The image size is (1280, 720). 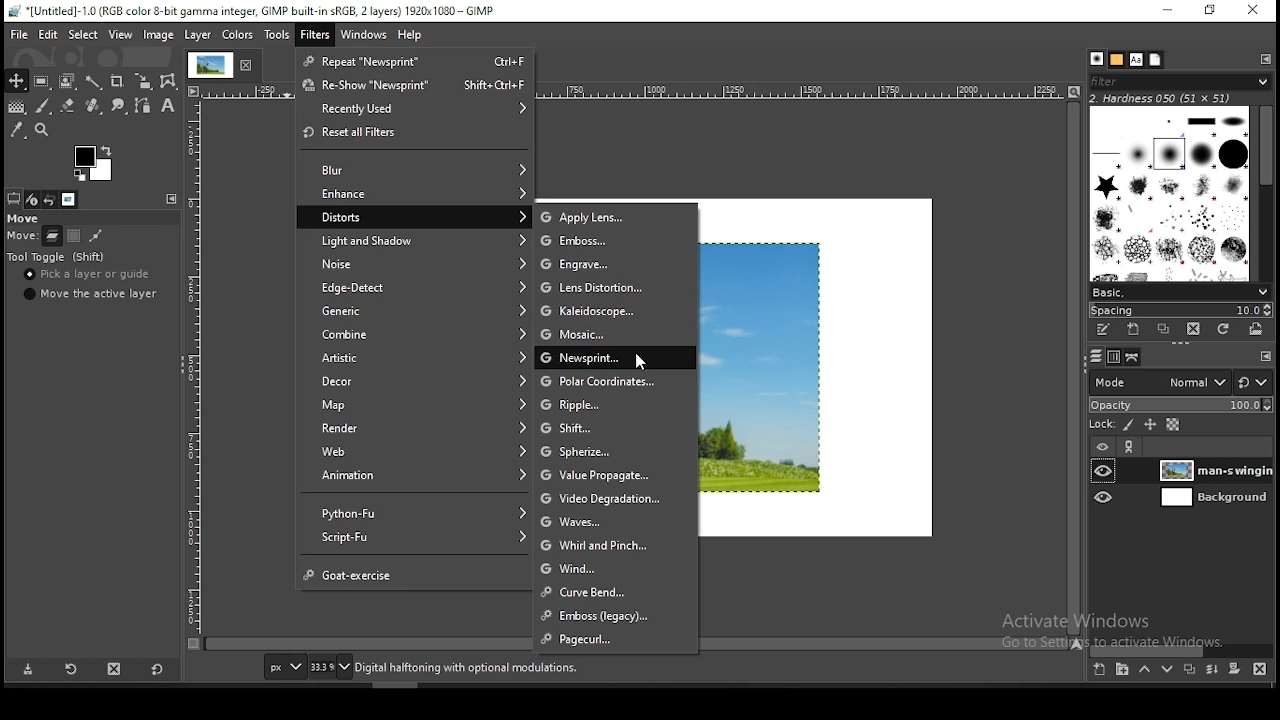 I want to click on crop tool, so click(x=119, y=82).